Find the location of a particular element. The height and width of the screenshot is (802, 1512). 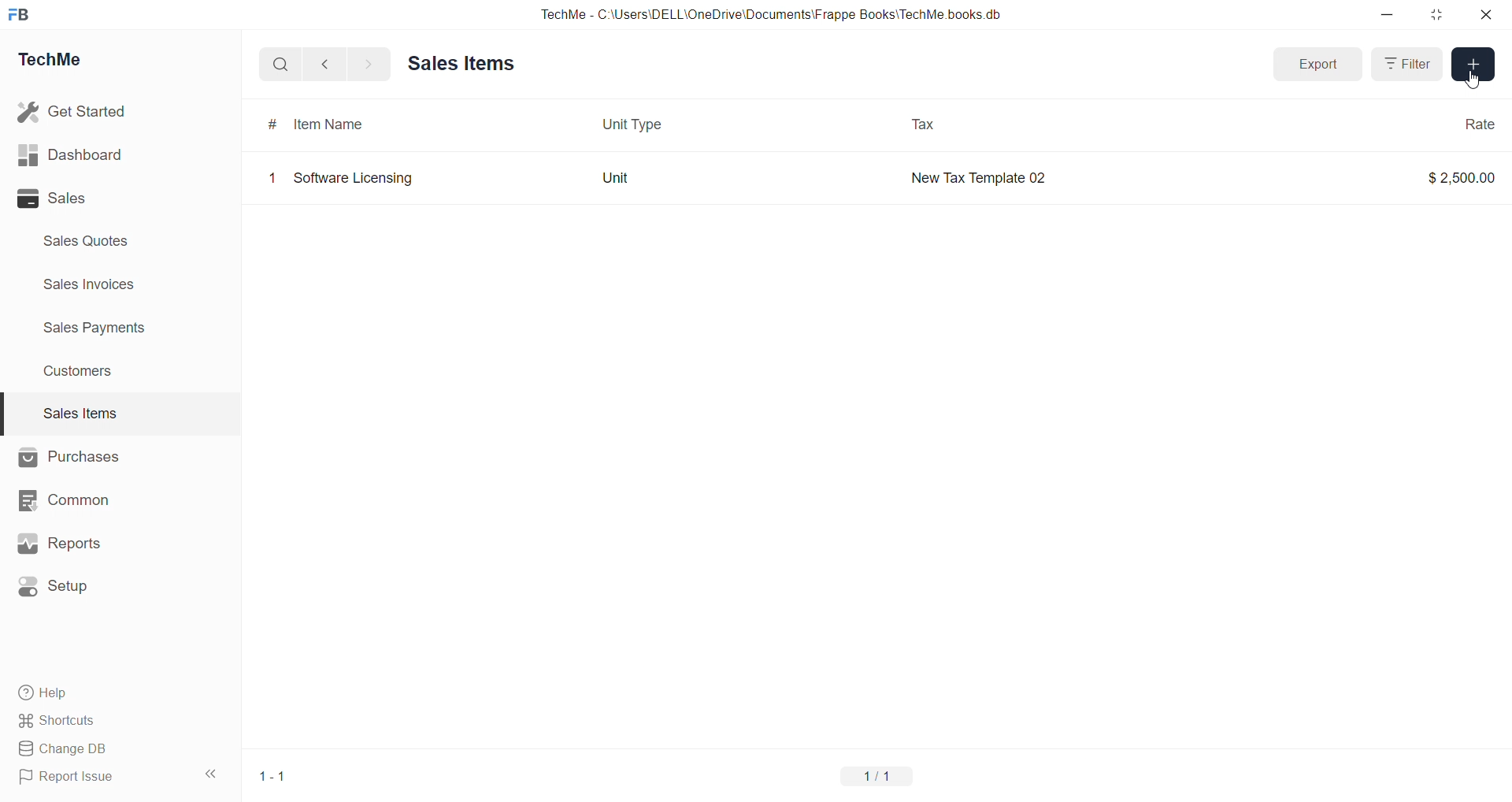

Sales is located at coordinates (54, 199).